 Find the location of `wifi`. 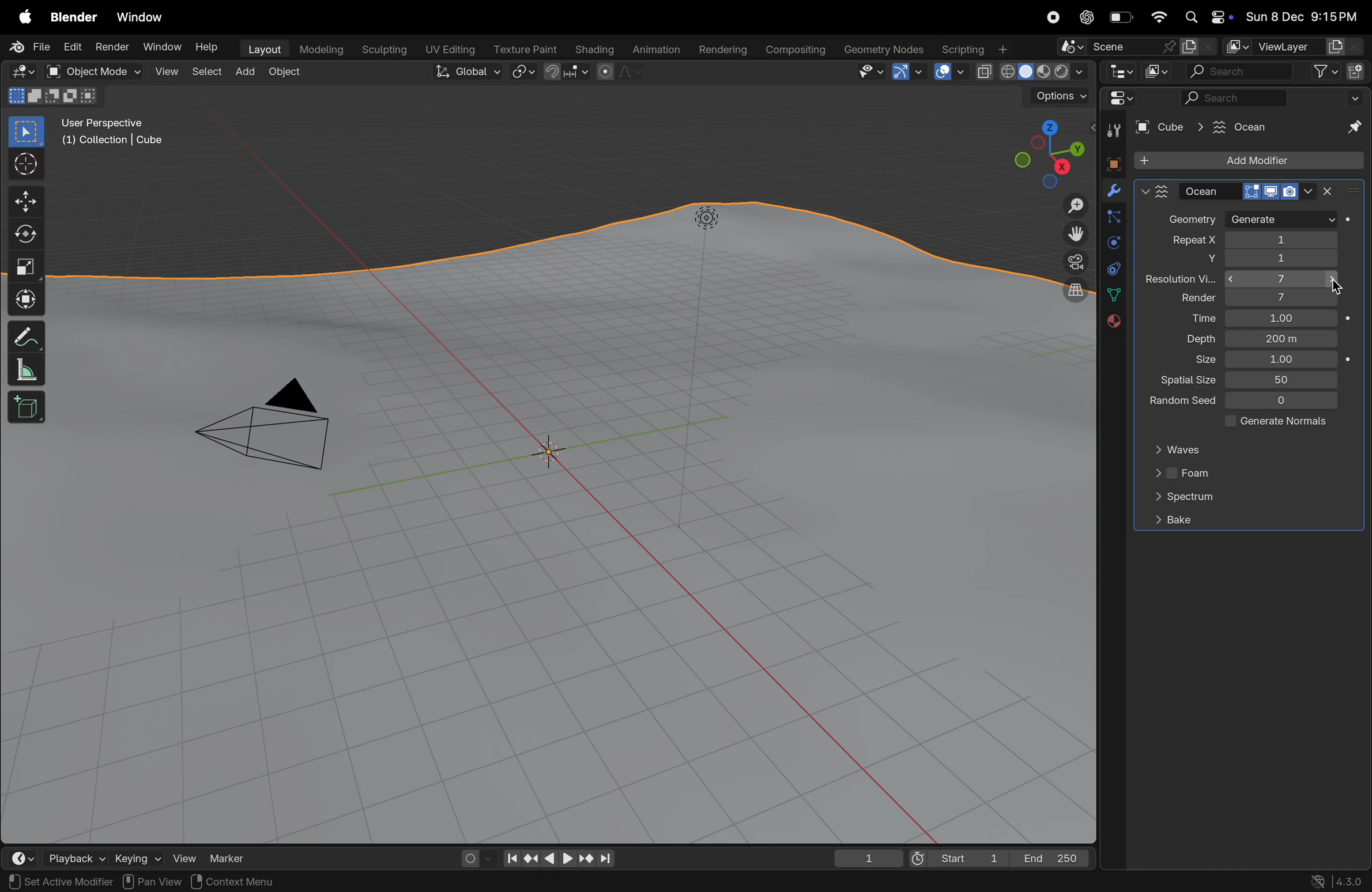

wifi is located at coordinates (1159, 17).